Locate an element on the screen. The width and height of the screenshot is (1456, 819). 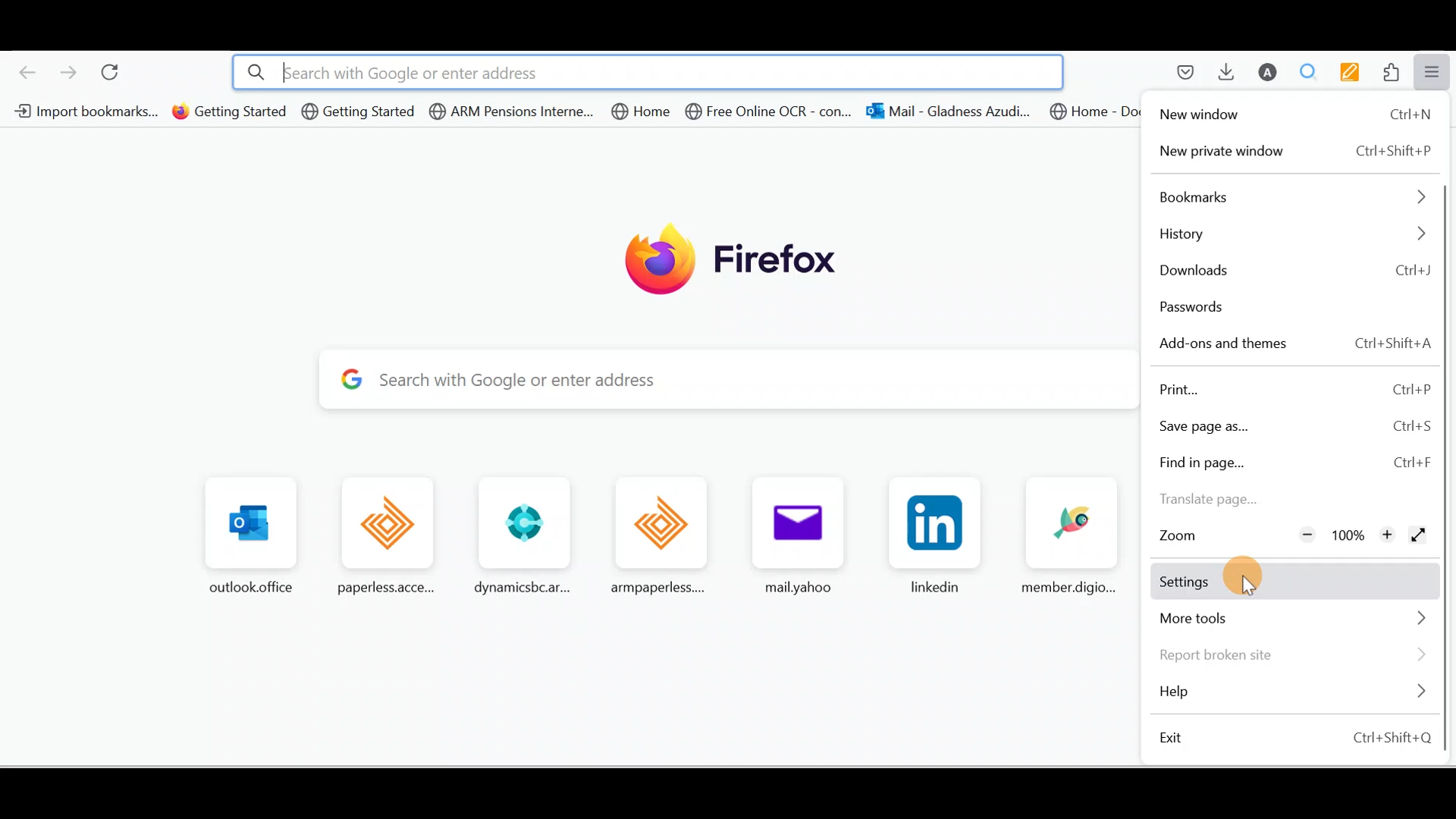
100% is located at coordinates (1352, 535).